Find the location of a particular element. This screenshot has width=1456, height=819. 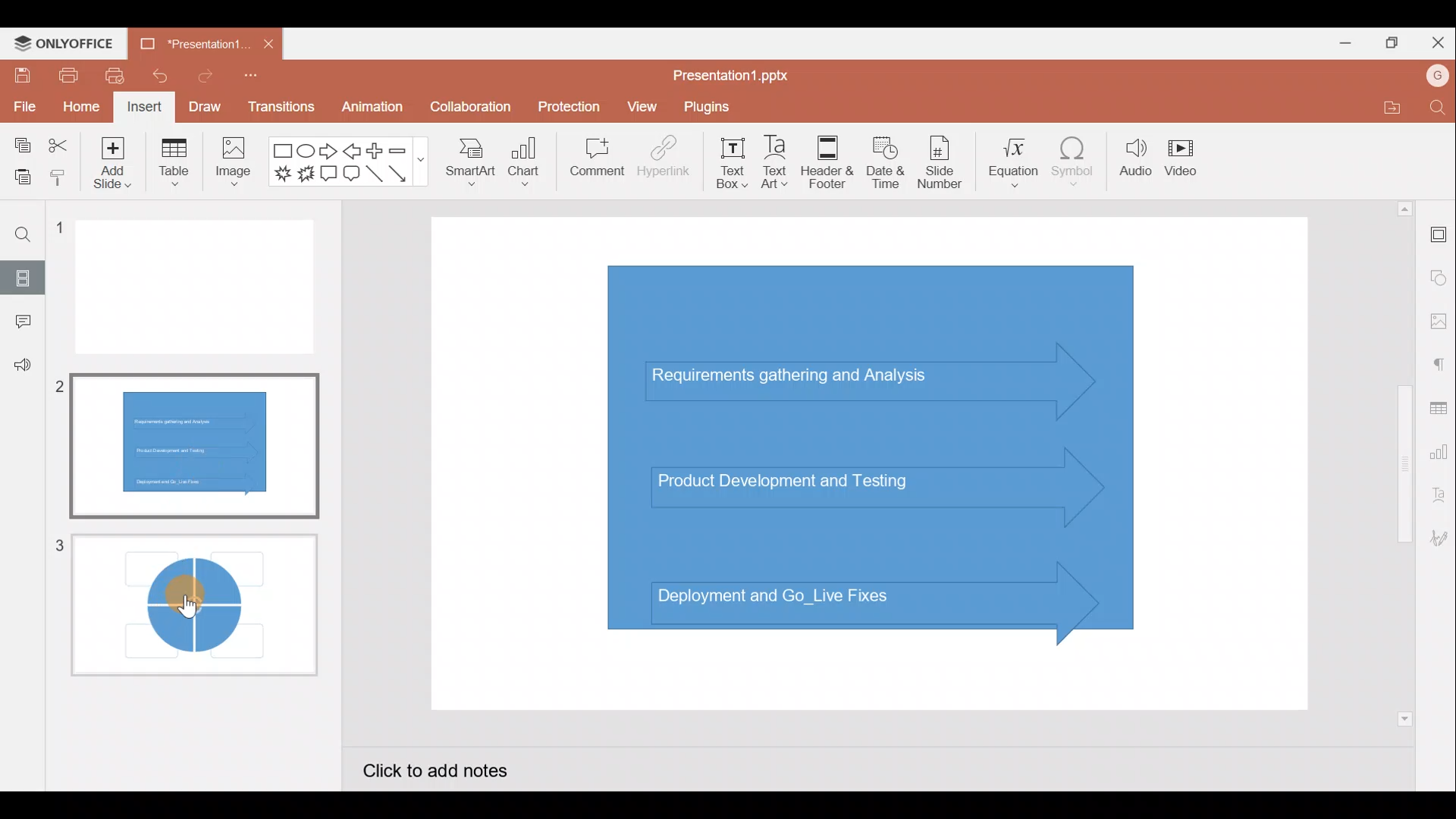

Chart settings is located at coordinates (1441, 454).